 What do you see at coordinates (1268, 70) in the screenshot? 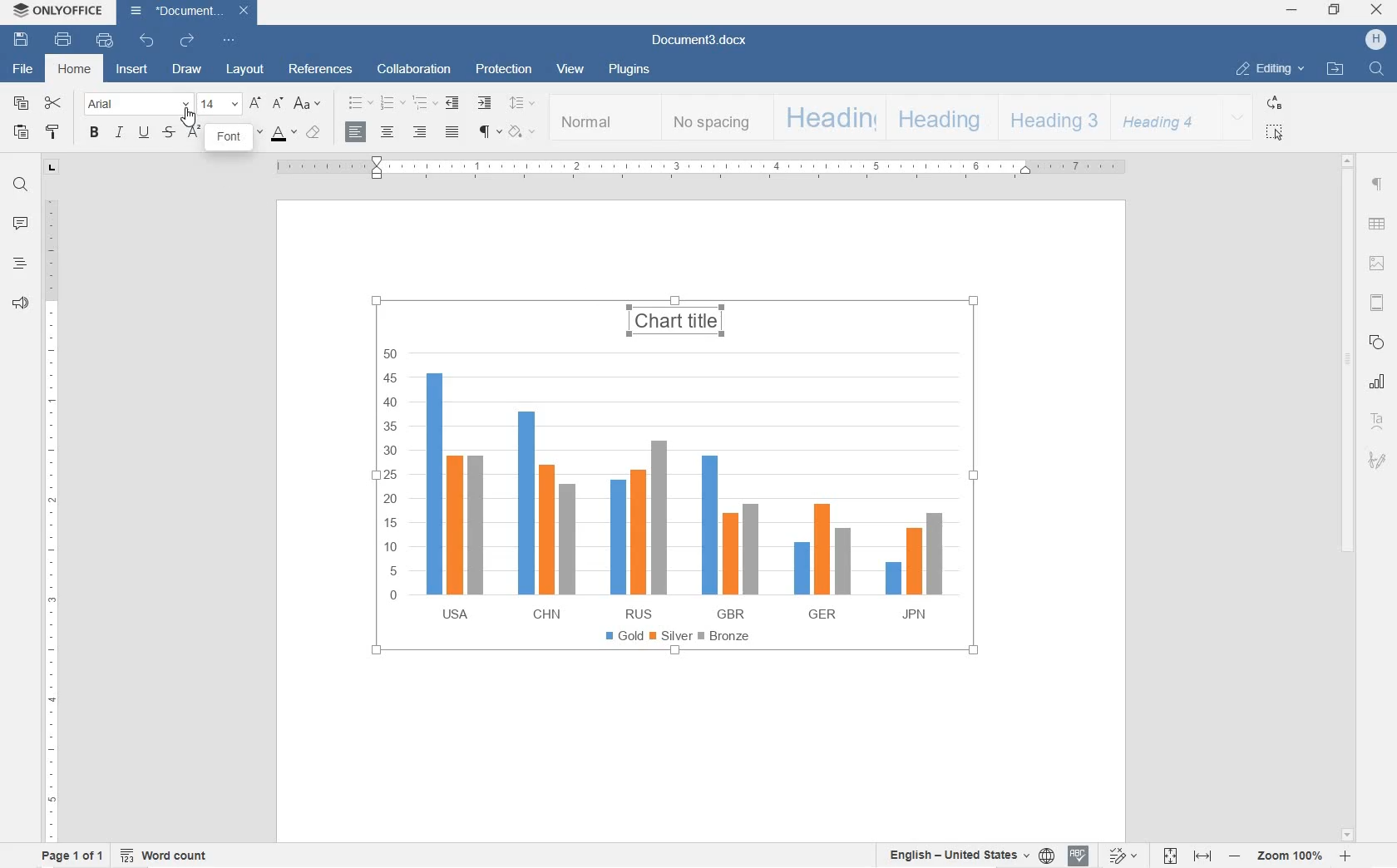
I see `EDITING` at bounding box center [1268, 70].